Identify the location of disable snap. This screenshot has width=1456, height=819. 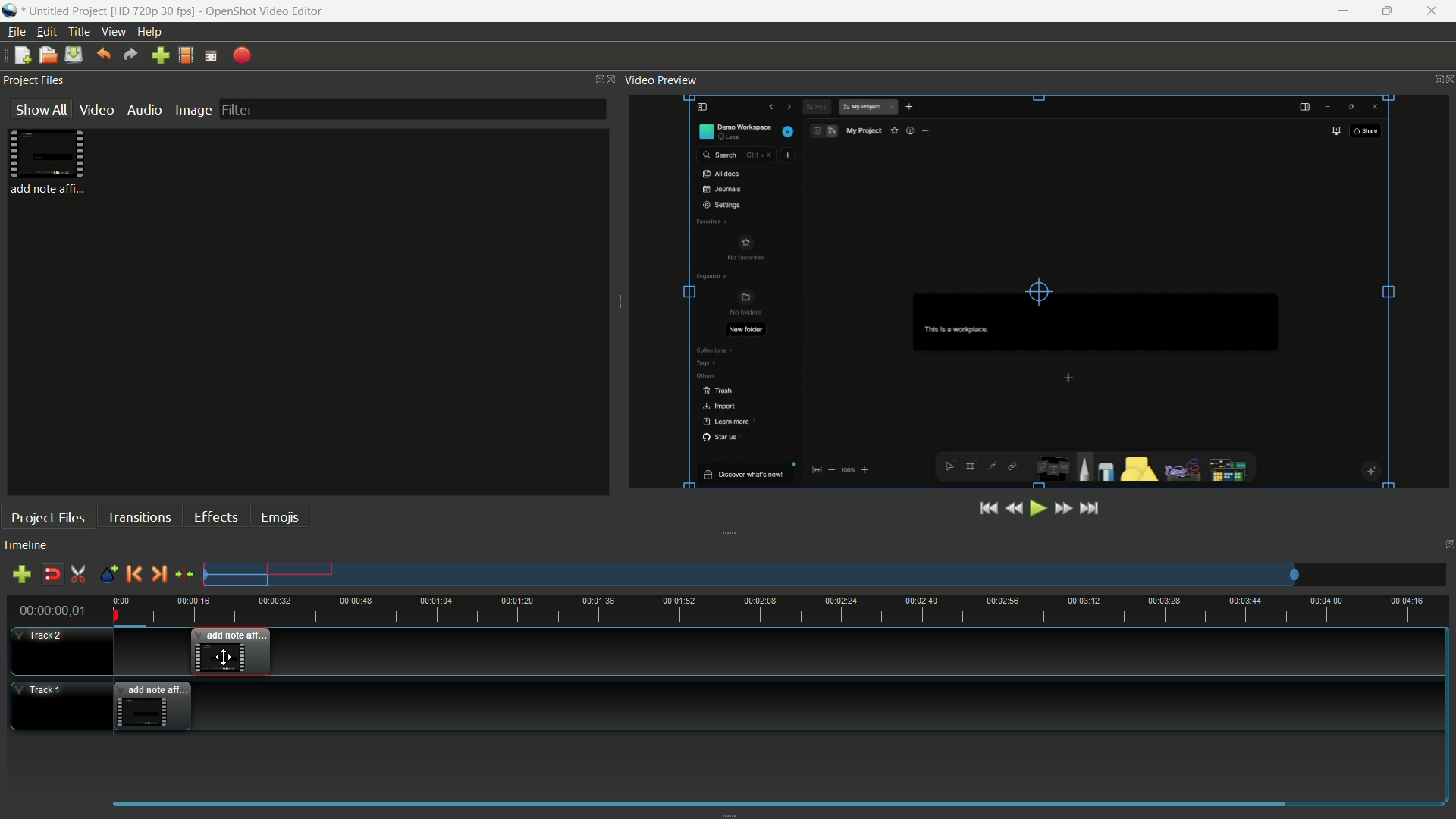
(50, 574).